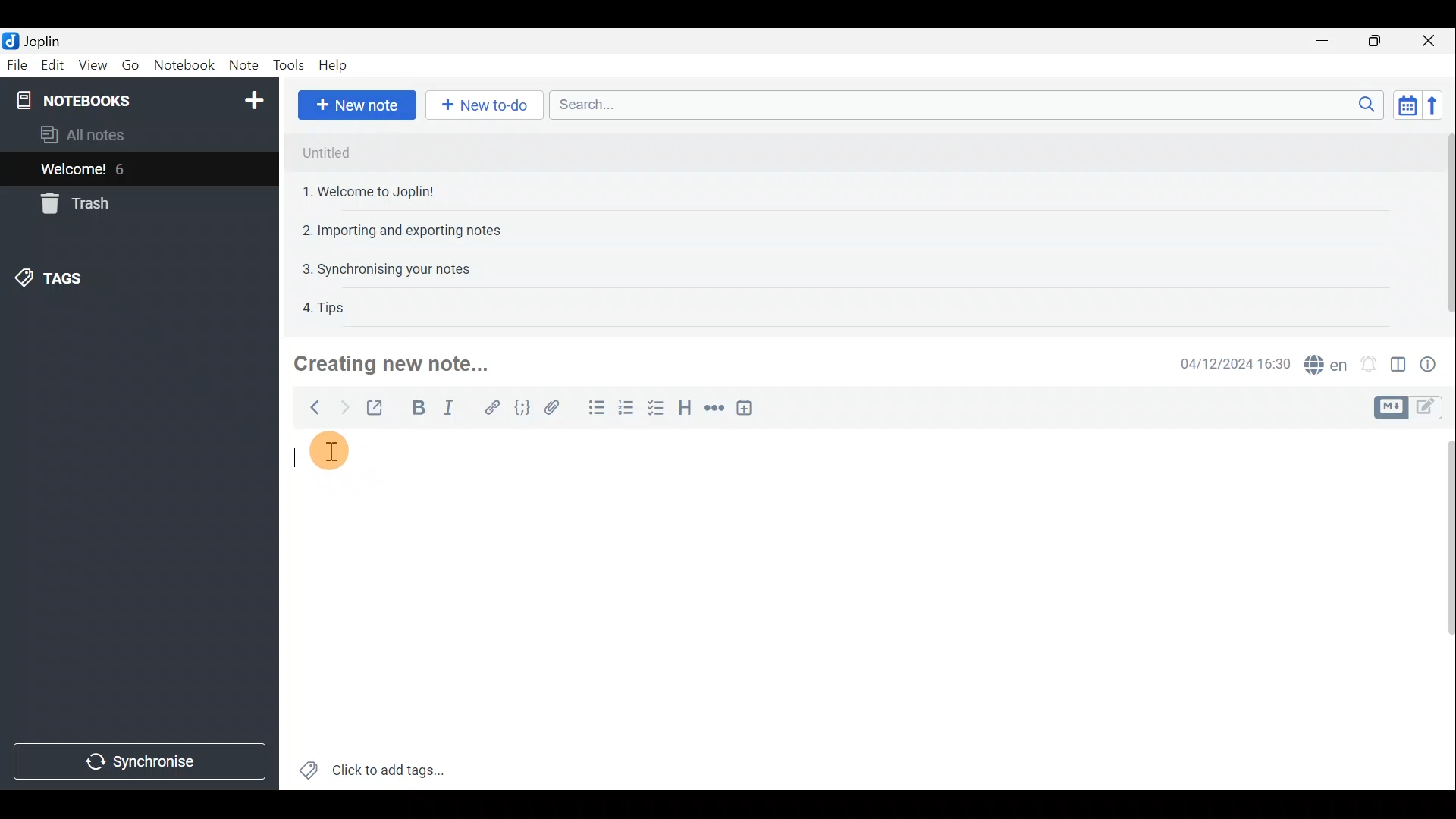 The width and height of the screenshot is (1456, 819). I want to click on Untitled, so click(326, 153).